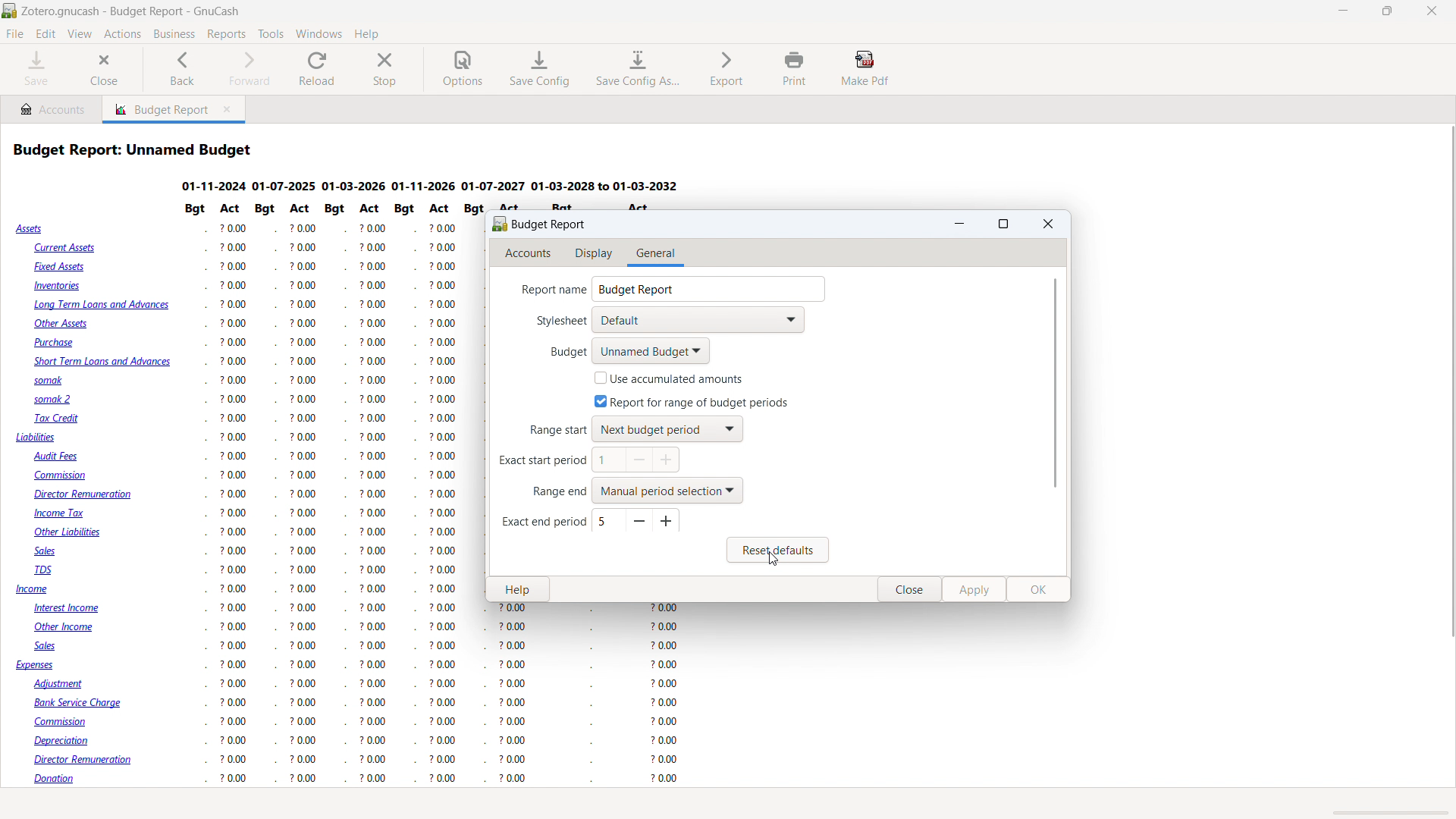 This screenshot has height=819, width=1456. What do you see at coordinates (318, 69) in the screenshot?
I see `reload` at bounding box center [318, 69].